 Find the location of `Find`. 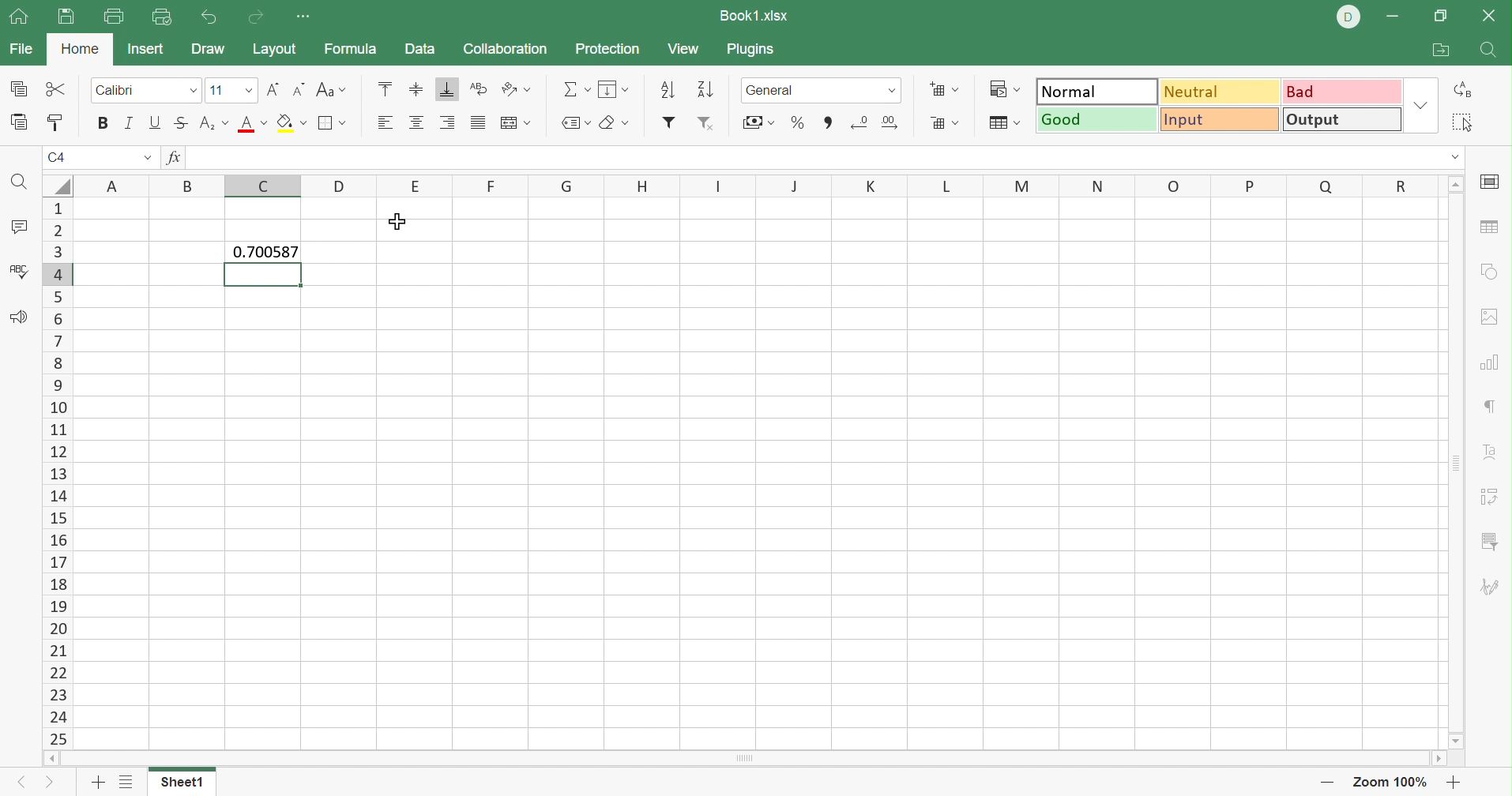

Find is located at coordinates (1488, 51).